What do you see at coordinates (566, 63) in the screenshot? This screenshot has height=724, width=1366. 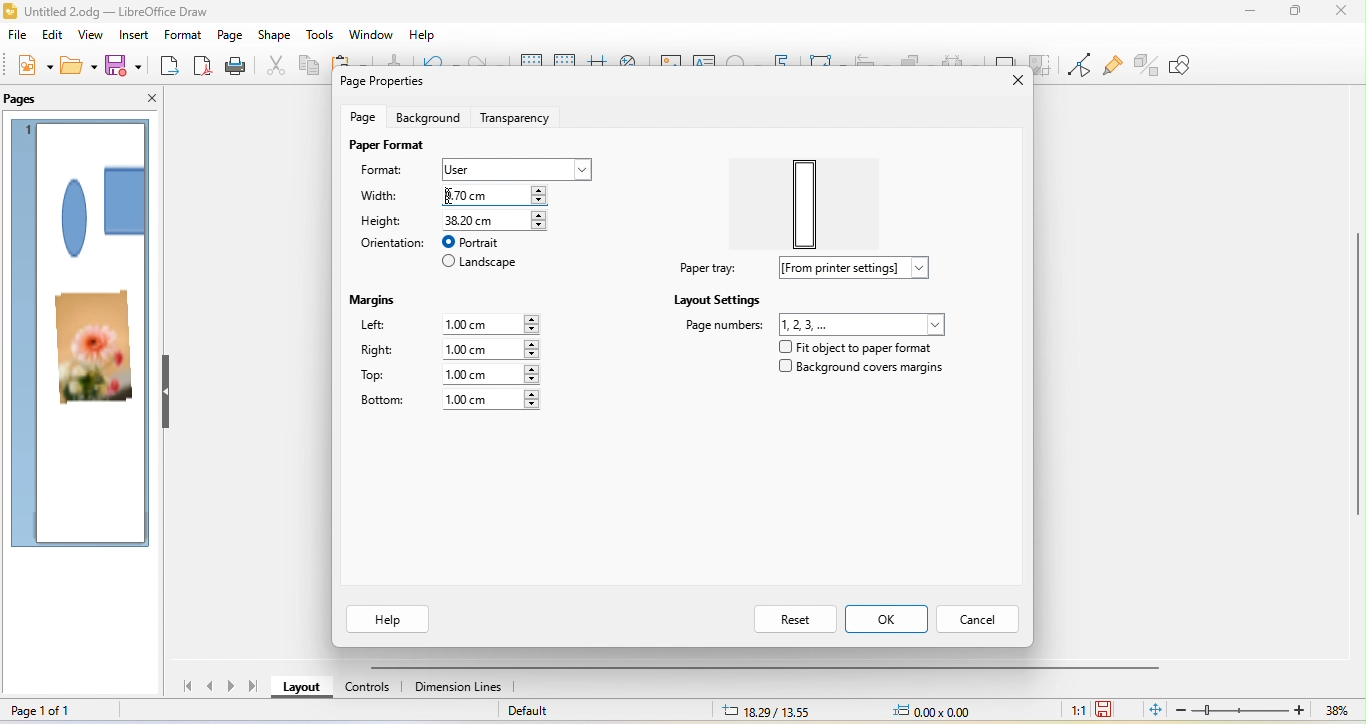 I see `snap to grid` at bounding box center [566, 63].